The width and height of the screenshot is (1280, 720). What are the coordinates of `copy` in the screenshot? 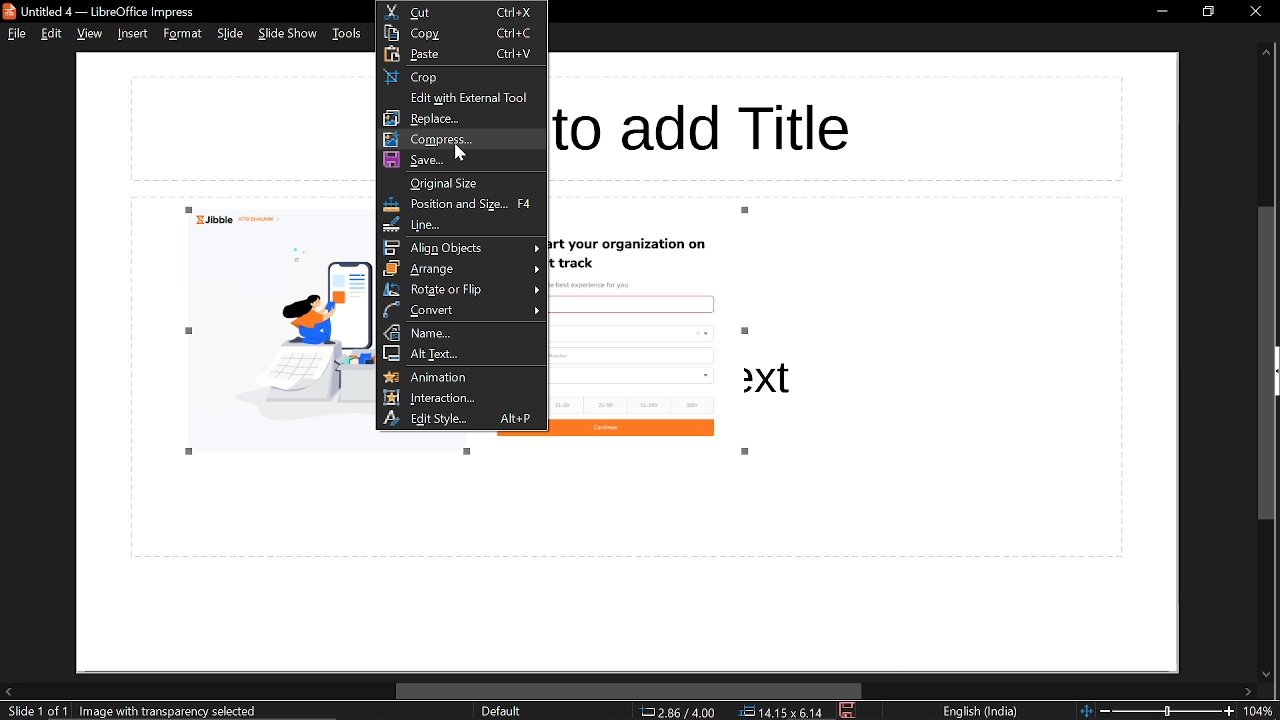 It's located at (463, 33).